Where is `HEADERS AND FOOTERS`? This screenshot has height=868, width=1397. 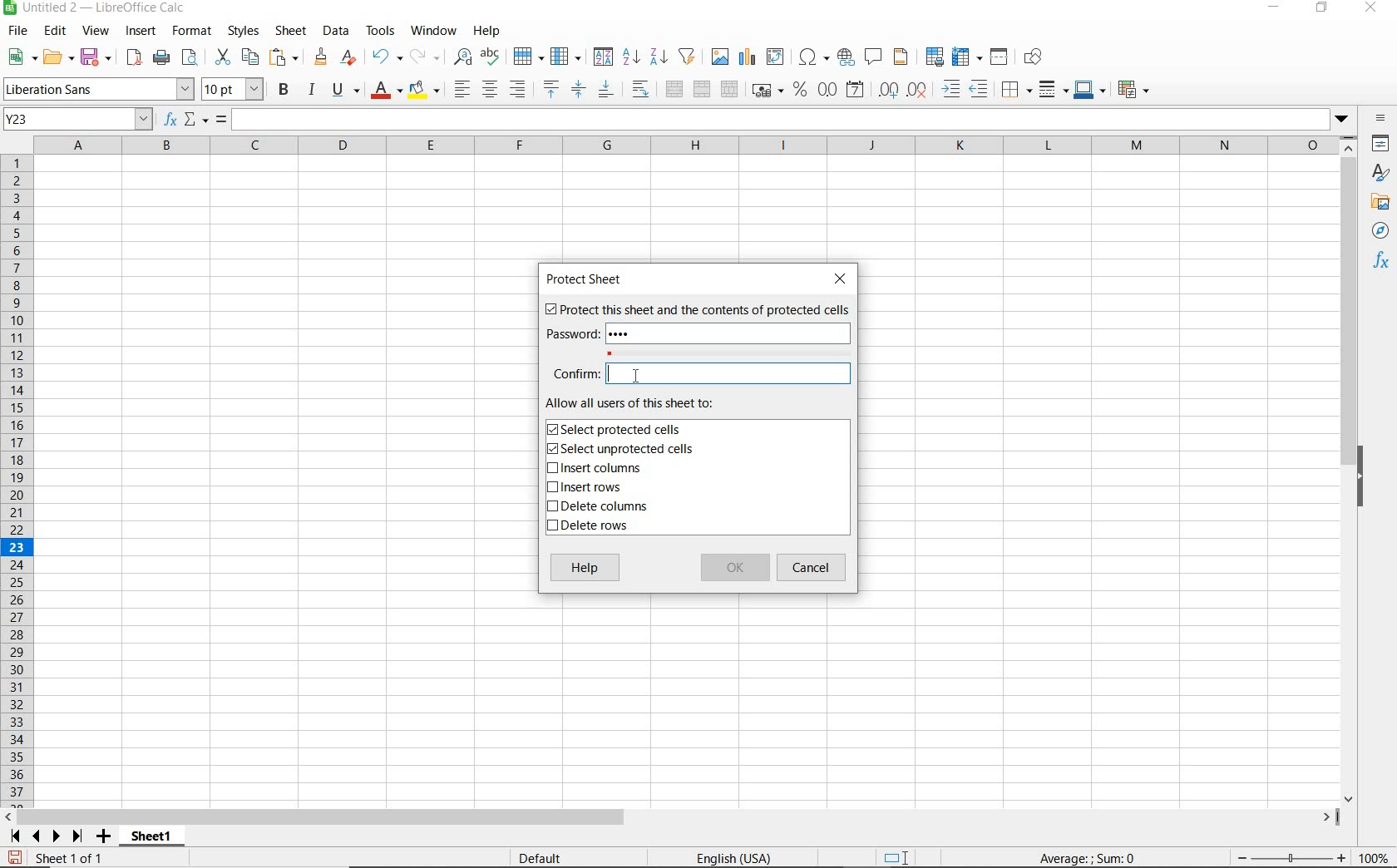
HEADERS AND FOOTERS is located at coordinates (901, 58).